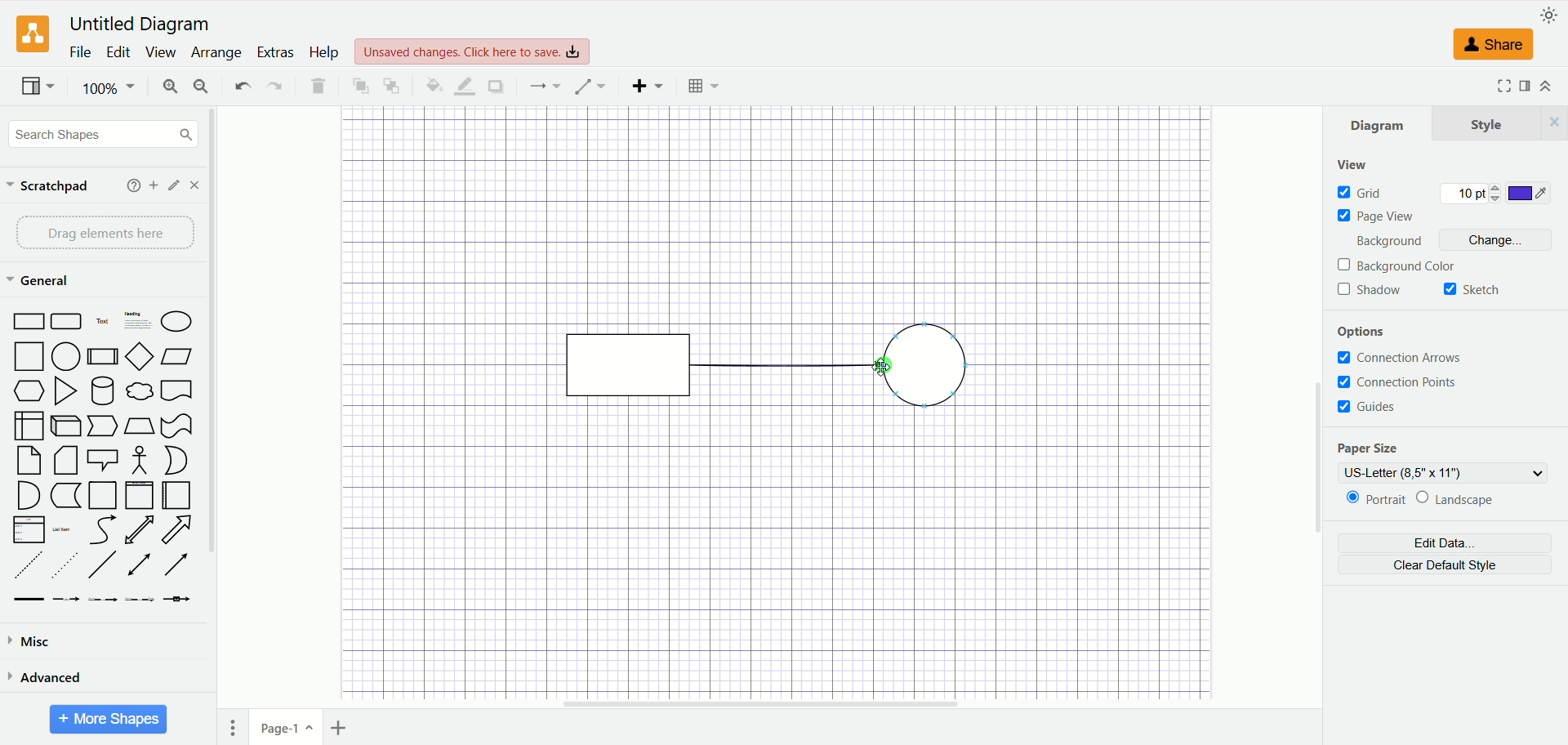 Image resolution: width=1568 pixels, height=745 pixels. What do you see at coordinates (177, 497) in the screenshot?
I see `Horizontal Page` at bounding box center [177, 497].